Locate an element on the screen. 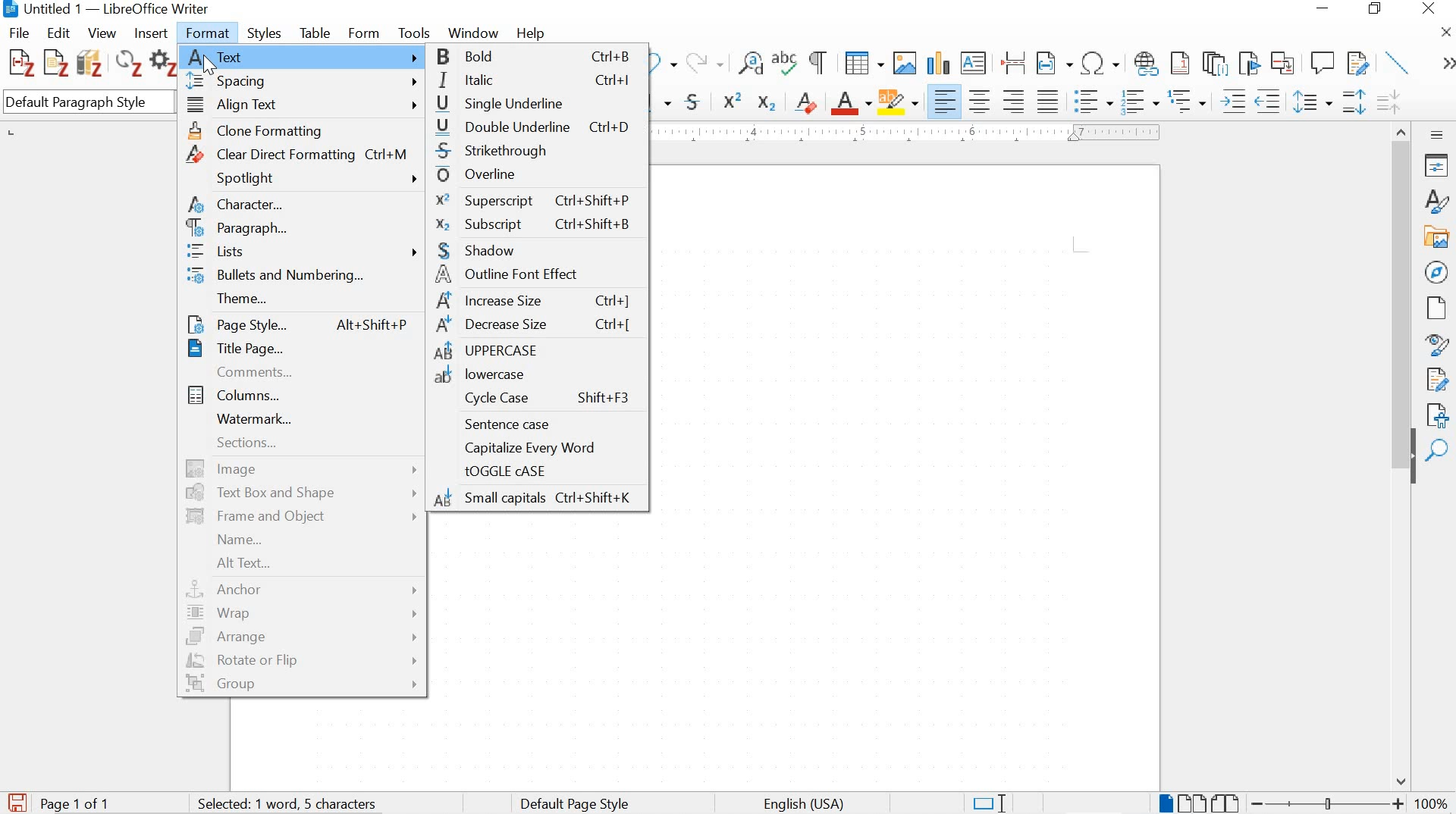 The image size is (1456, 814). add/edit bibliography is located at coordinates (89, 62).